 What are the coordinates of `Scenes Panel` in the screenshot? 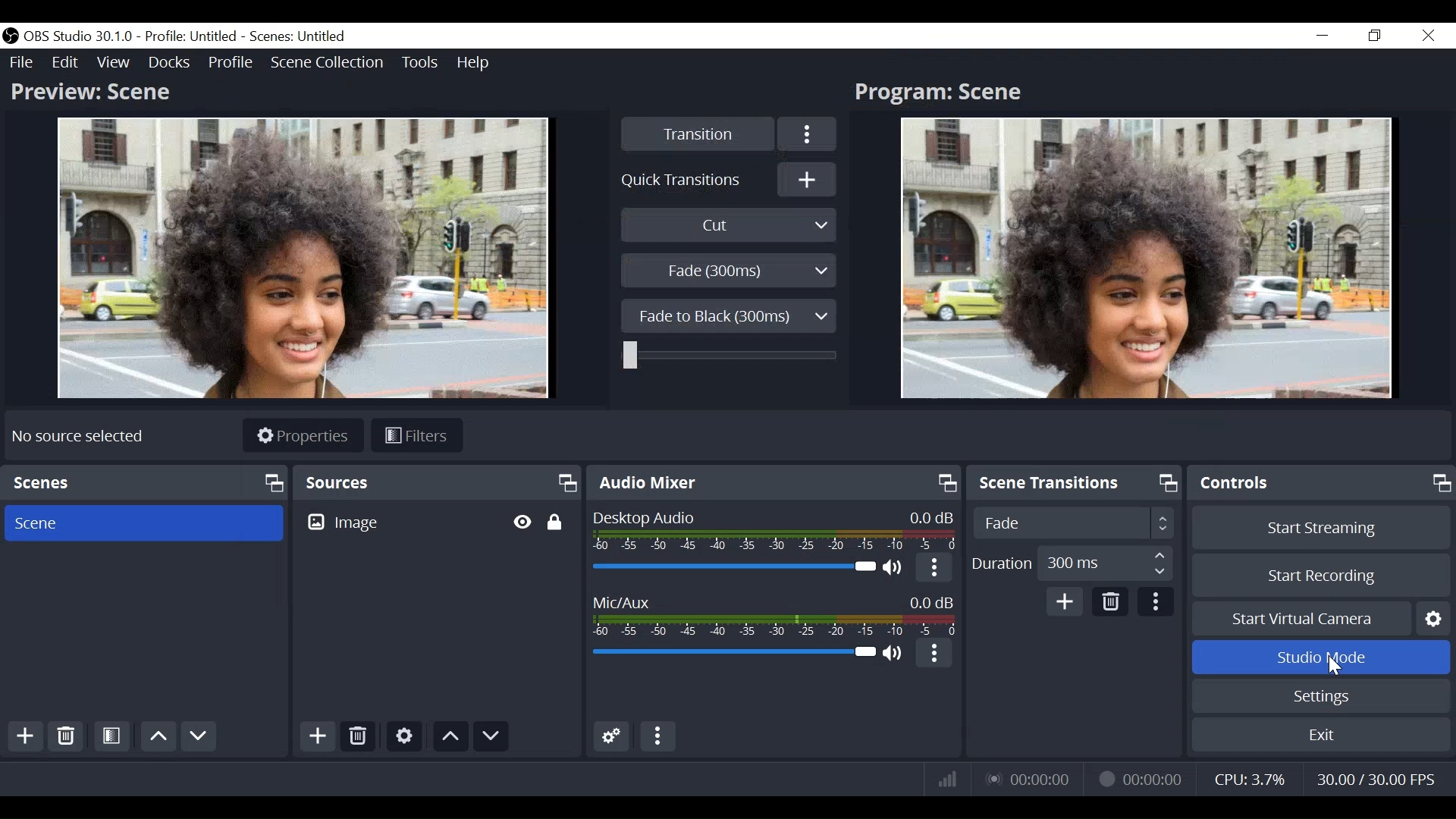 It's located at (147, 484).